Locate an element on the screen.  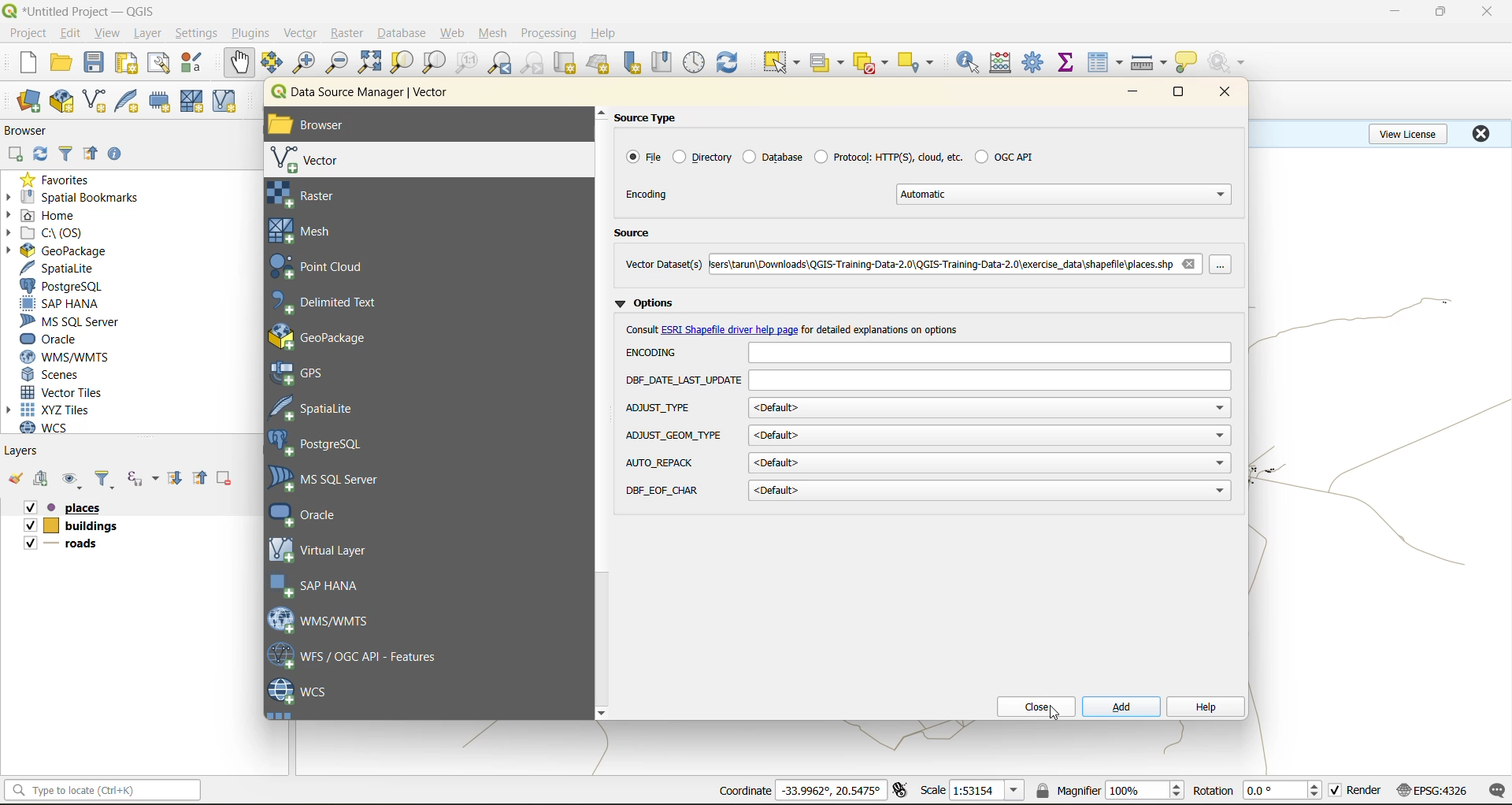
view is located at coordinates (108, 35).